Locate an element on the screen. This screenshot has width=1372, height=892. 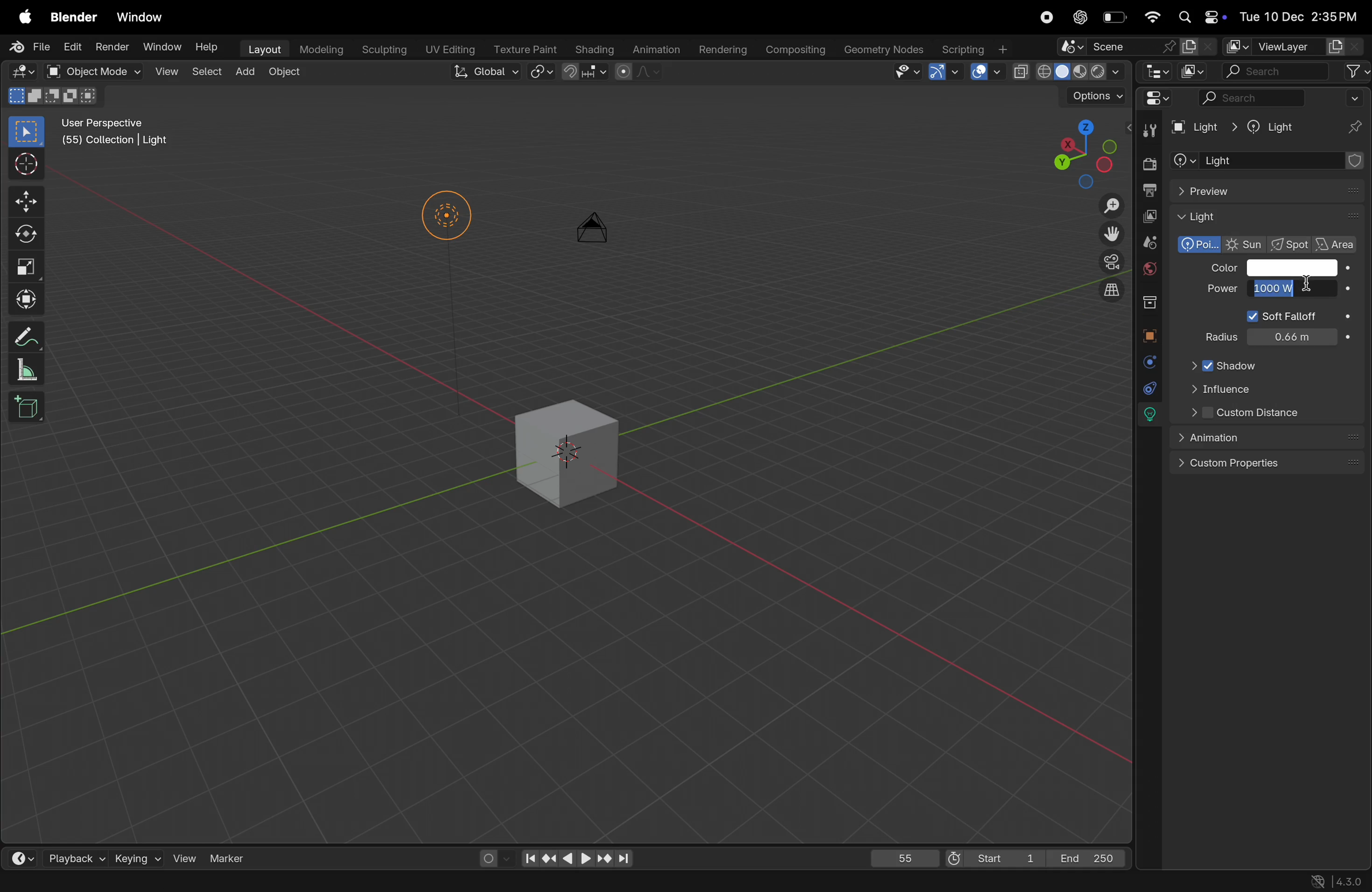
view is located at coordinates (165, 73).